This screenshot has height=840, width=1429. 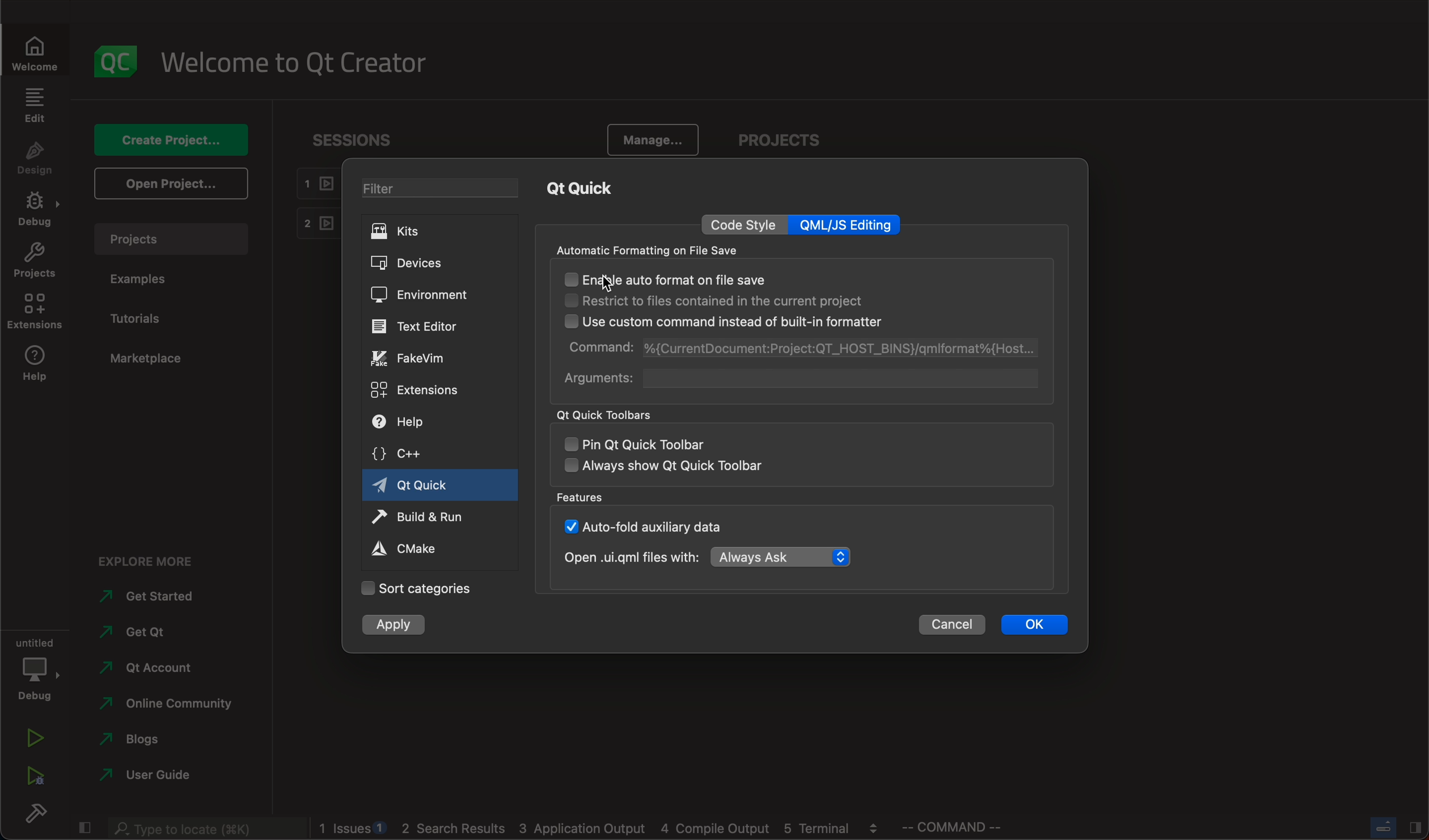 What do you see at coordinates (667, 444) in the screenshot?
I see `pin qt` at bounding box center [667, 444].